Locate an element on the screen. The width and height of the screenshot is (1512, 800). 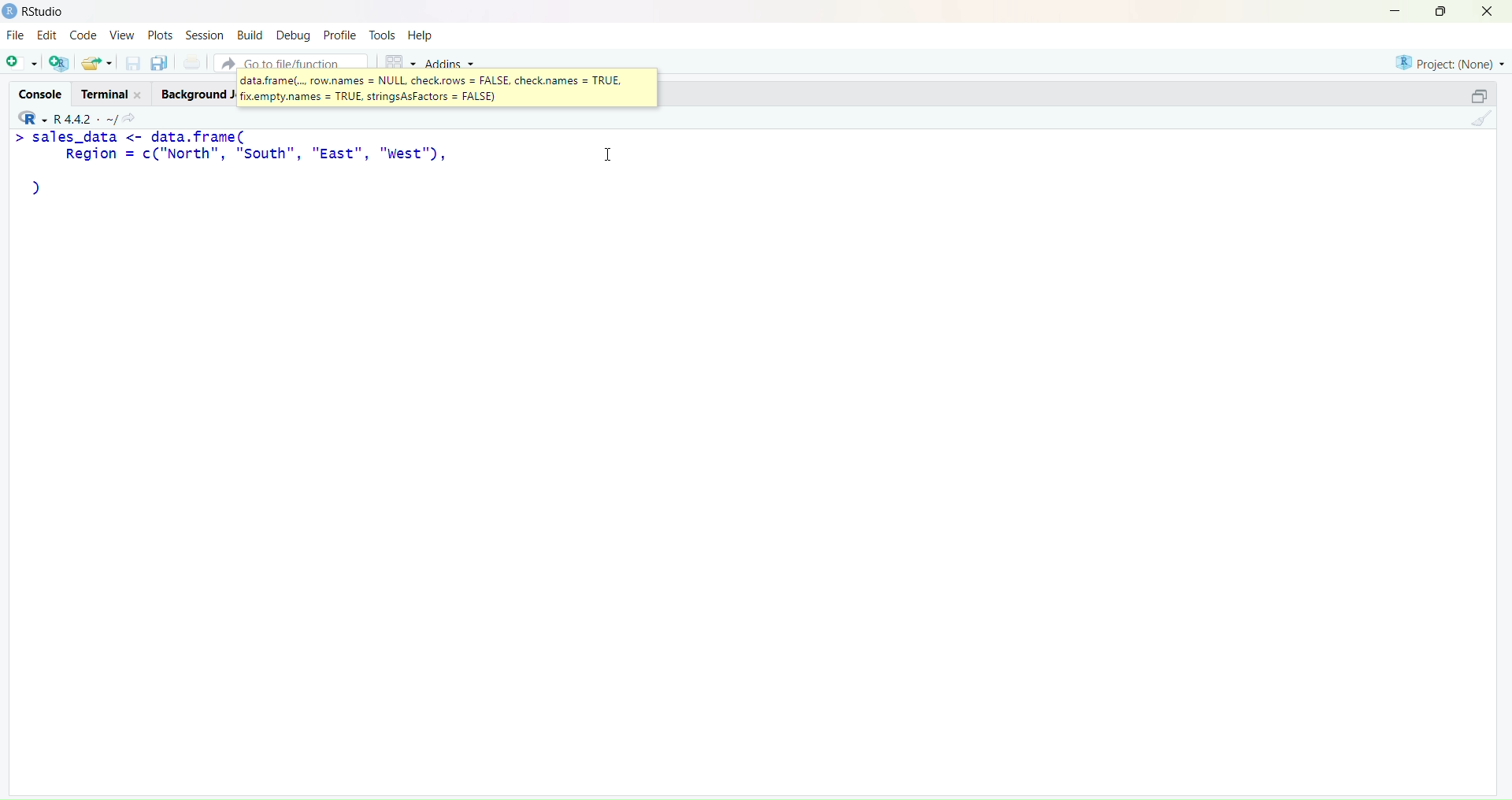
add script is located at coordinates (20, 64).